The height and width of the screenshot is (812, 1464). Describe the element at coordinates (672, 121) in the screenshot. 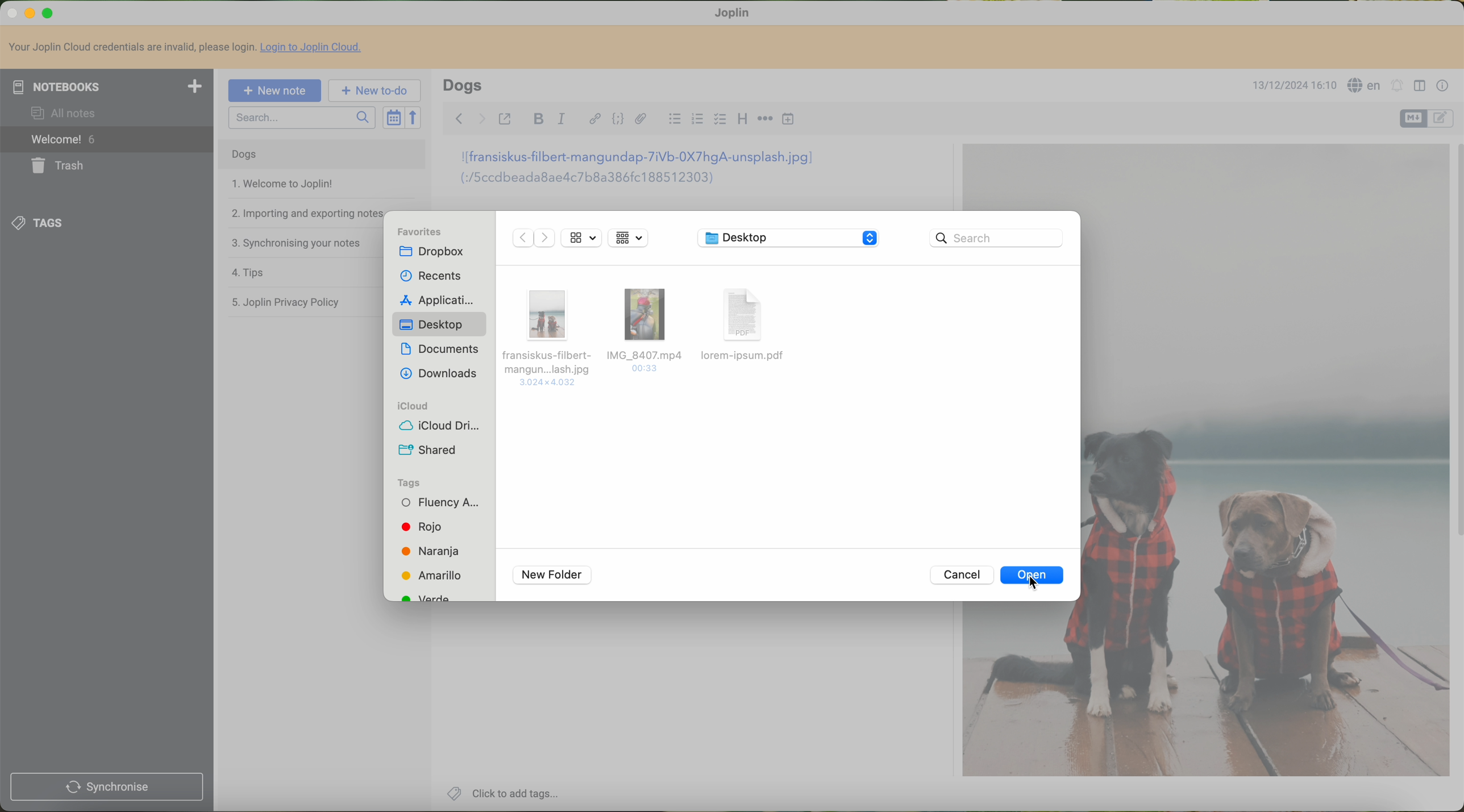

I see `bulleted list` at that location.